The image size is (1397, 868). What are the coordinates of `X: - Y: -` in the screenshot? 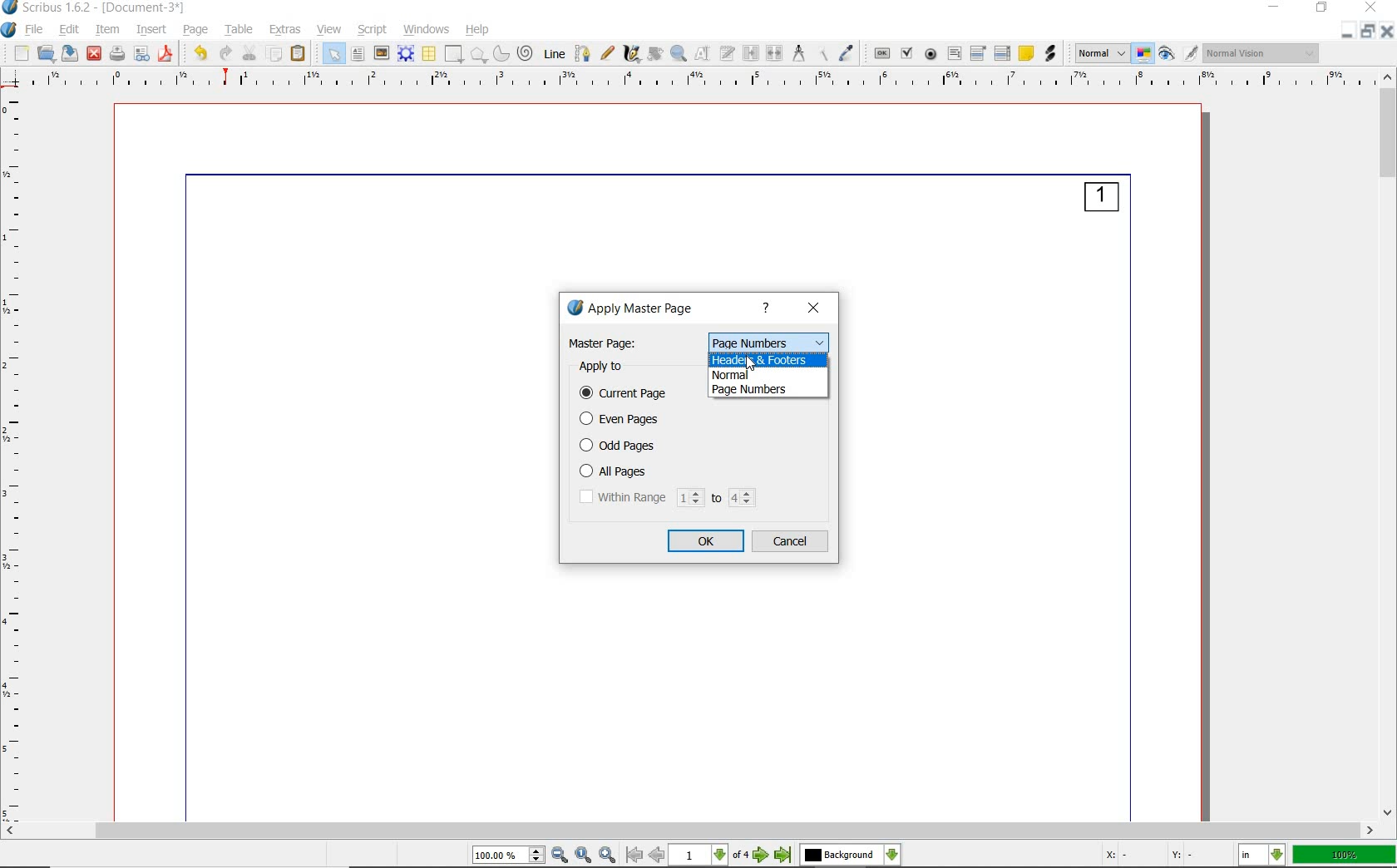 It's located at (1148, 856).